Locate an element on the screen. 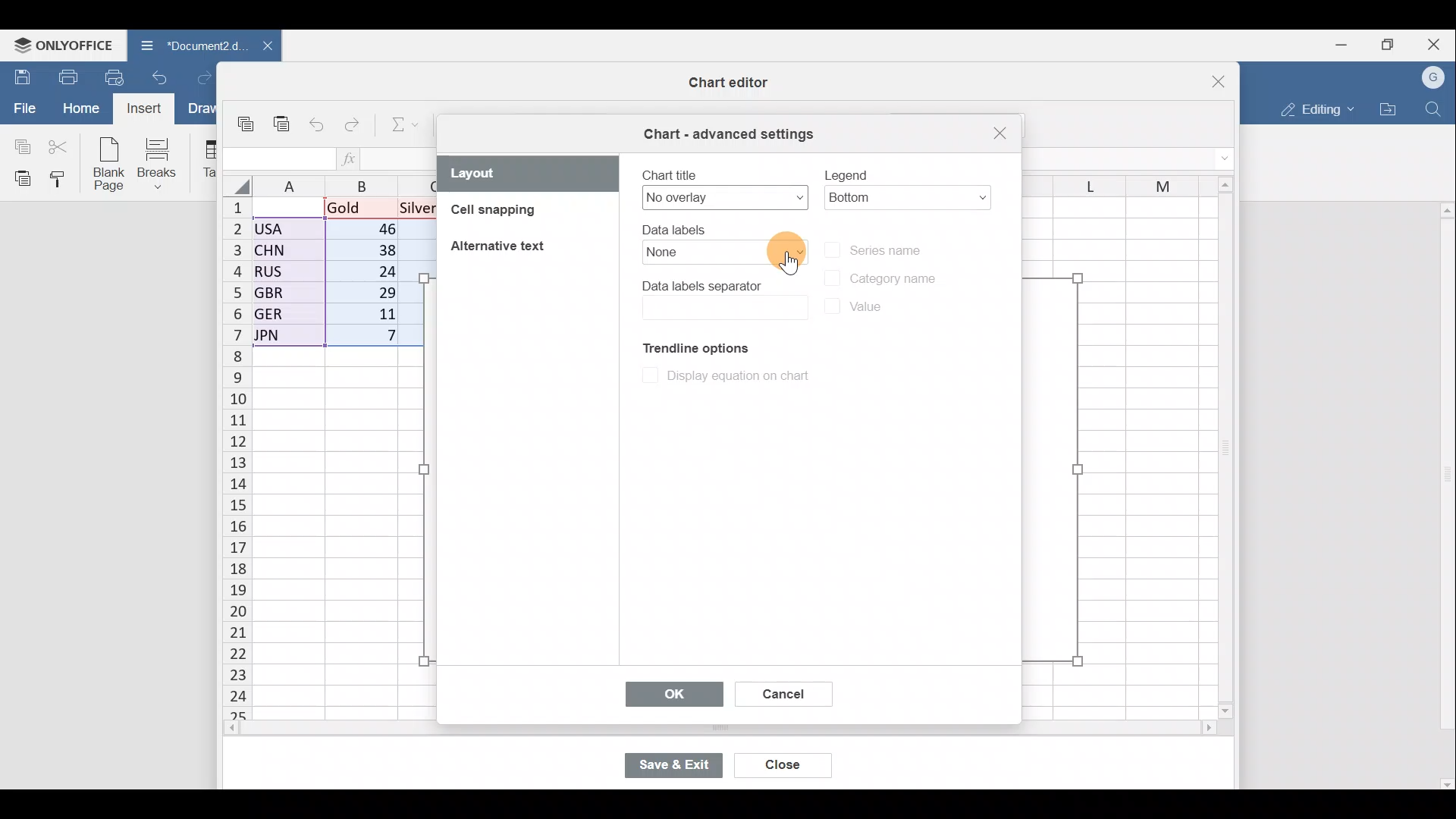 The image size is (1456, 819). Columns is located at coordinates (343, 183).